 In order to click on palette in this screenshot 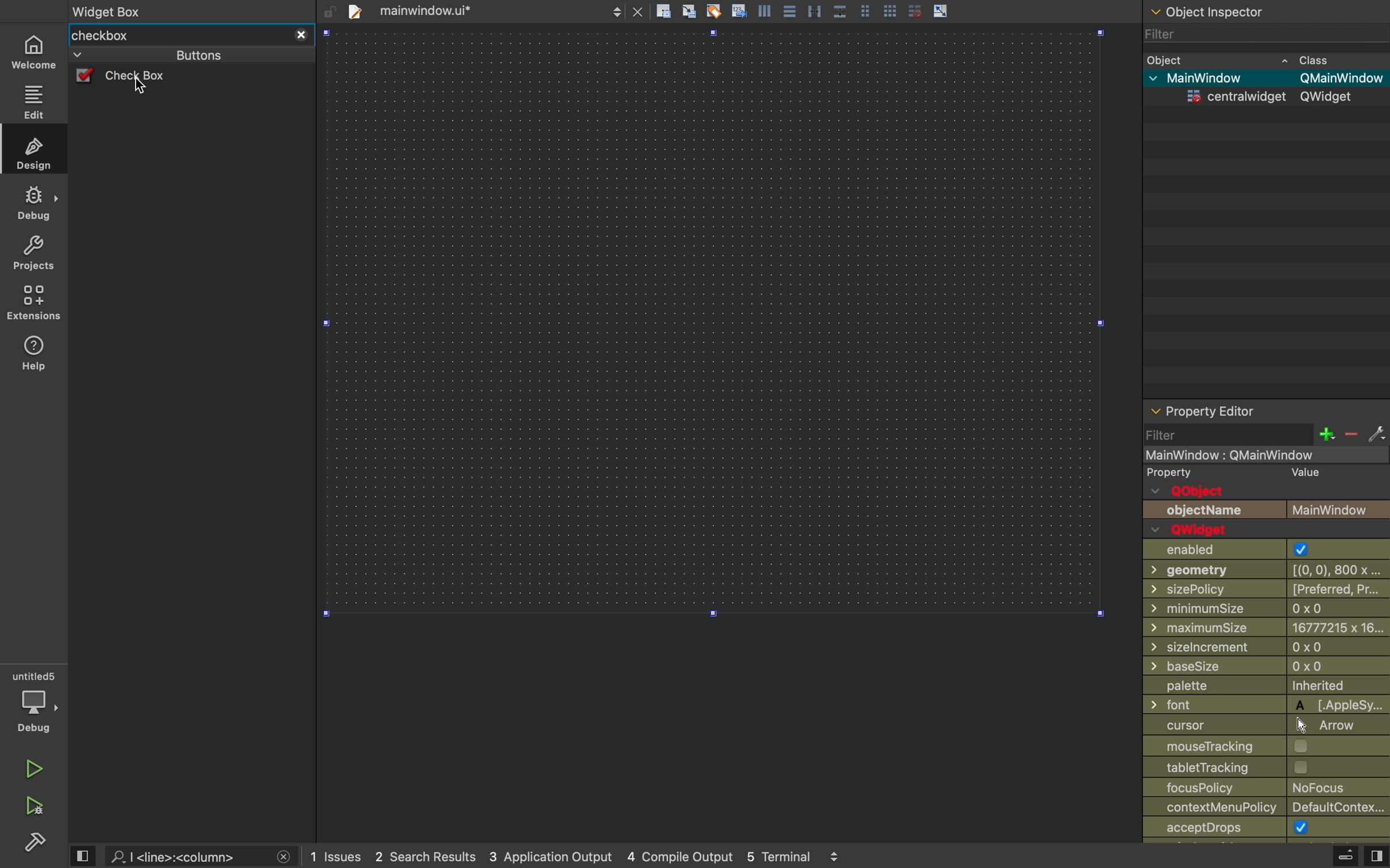, I will do `click(1265, 687)`.